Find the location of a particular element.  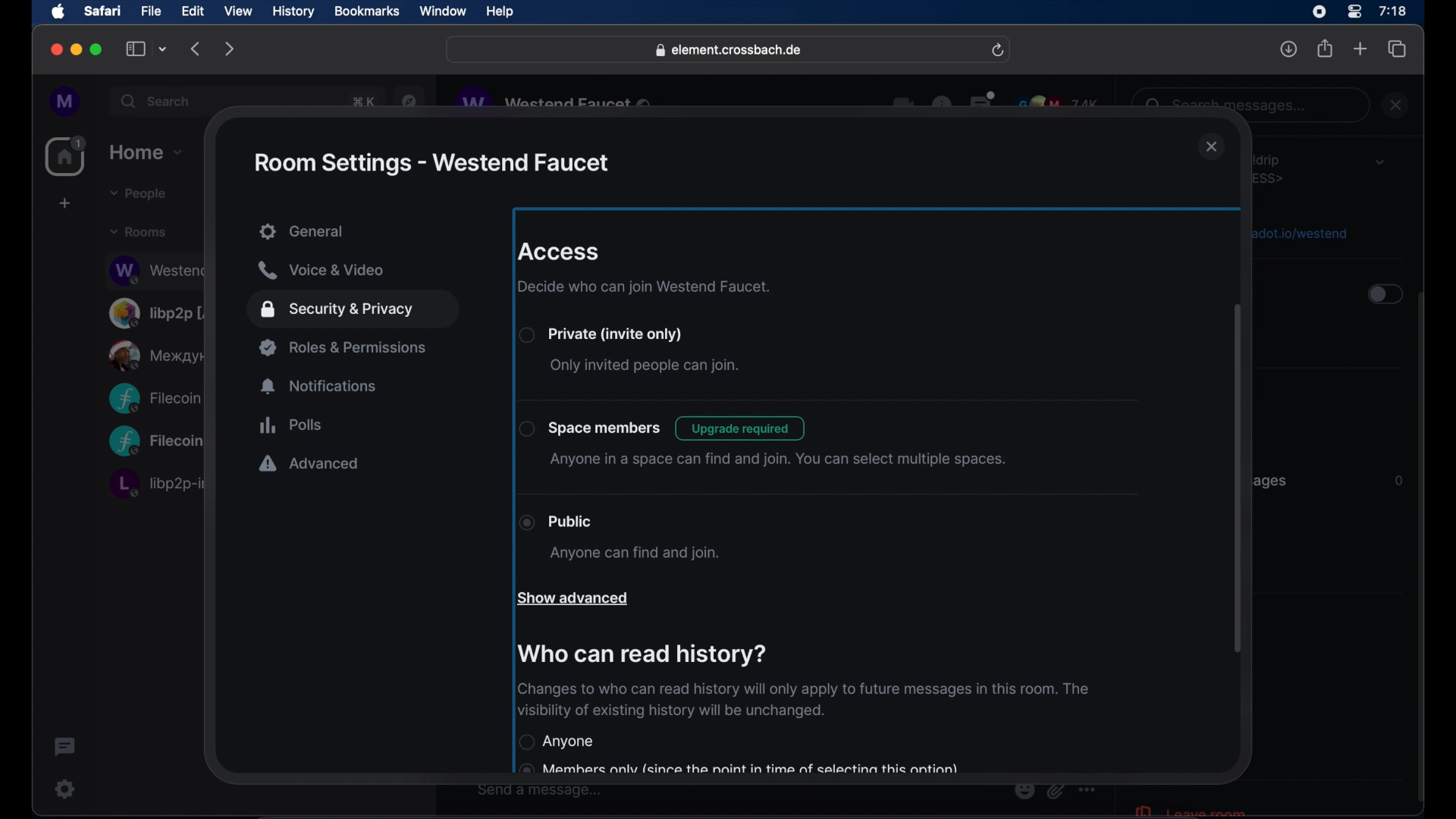

control center is located at coordinates (1353, 12).